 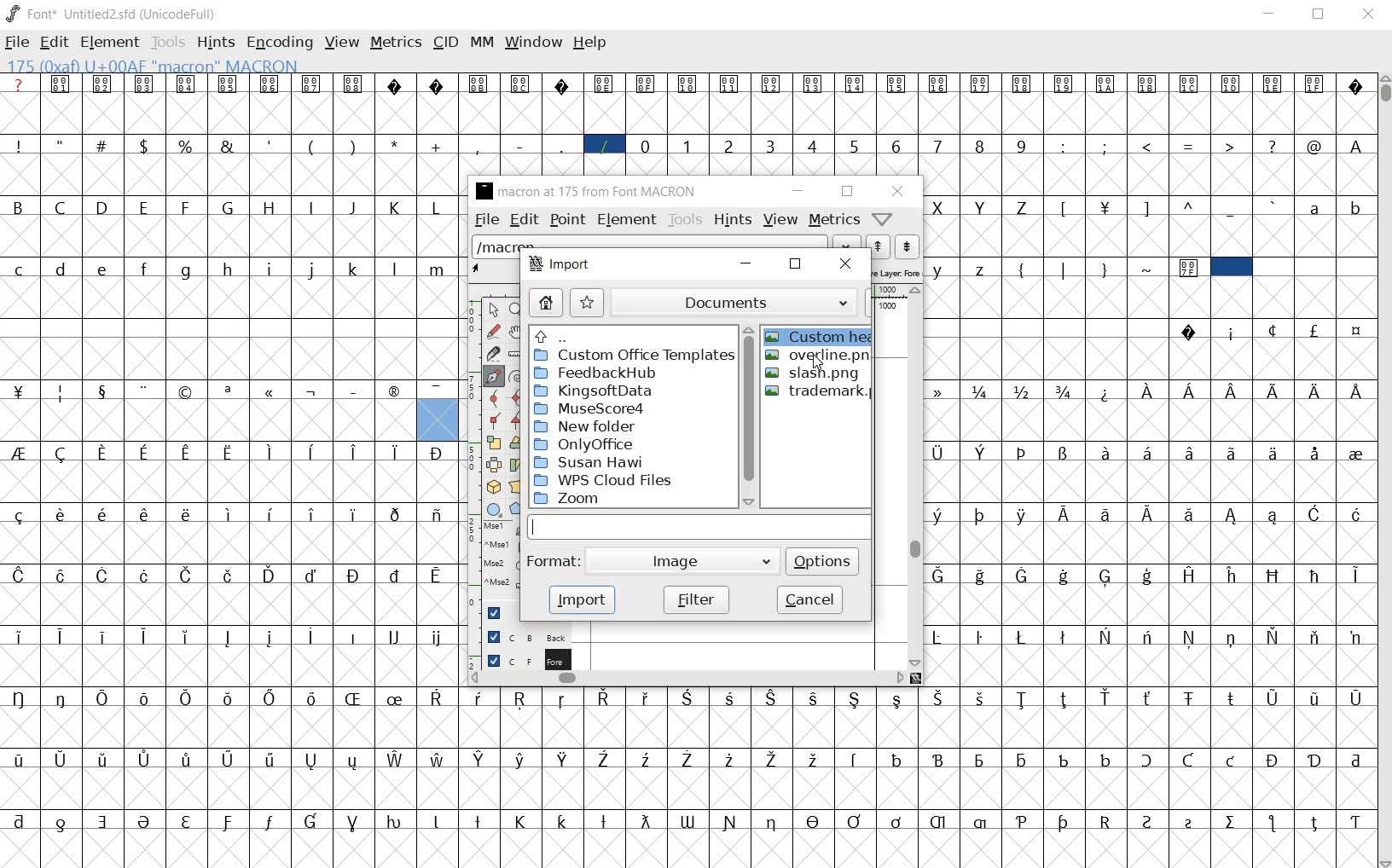 I want to click on Symbol, so click(x=1147, y=451).